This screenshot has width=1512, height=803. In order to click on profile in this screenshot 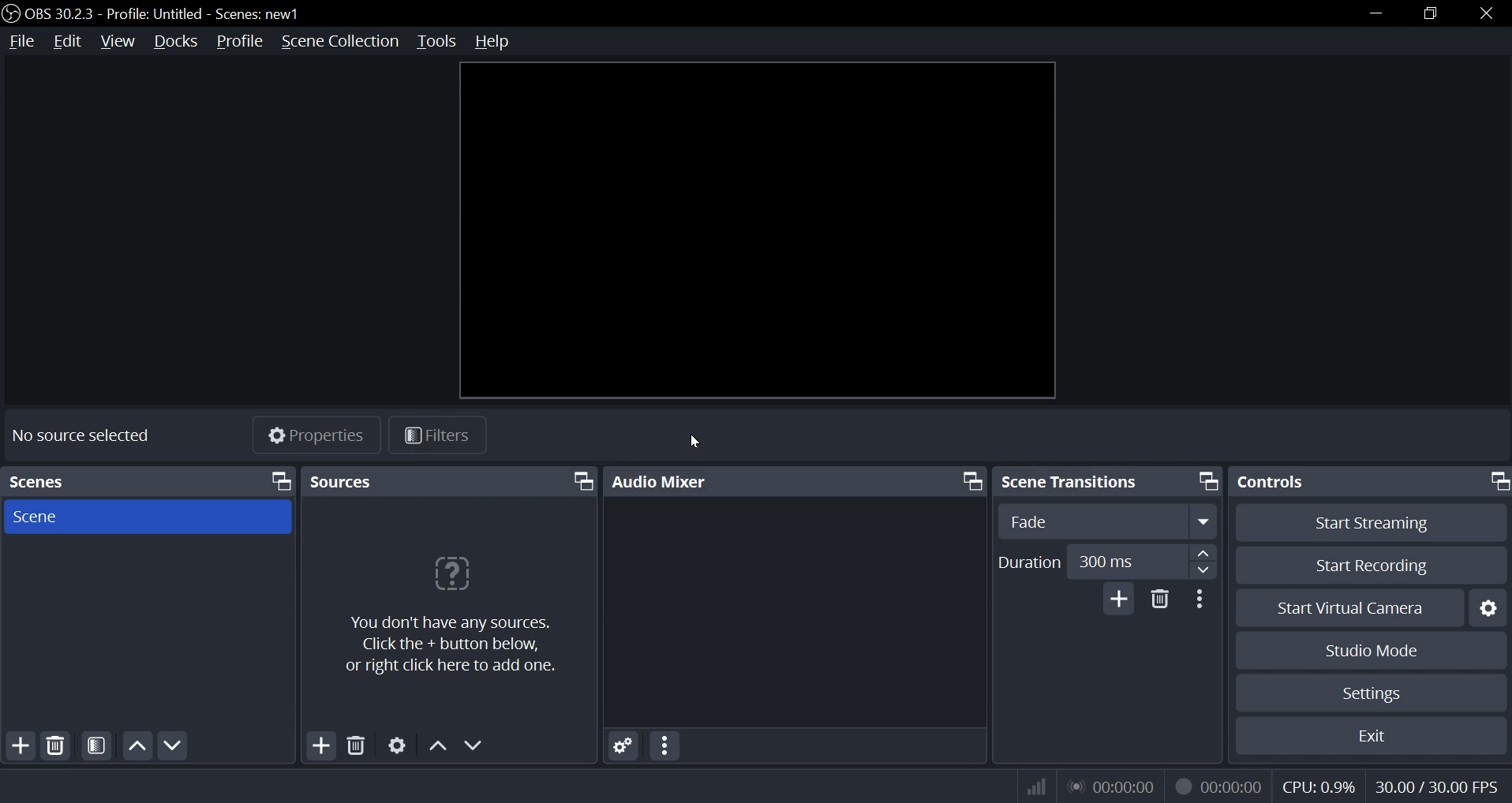, I will do `click(238, 42)`.